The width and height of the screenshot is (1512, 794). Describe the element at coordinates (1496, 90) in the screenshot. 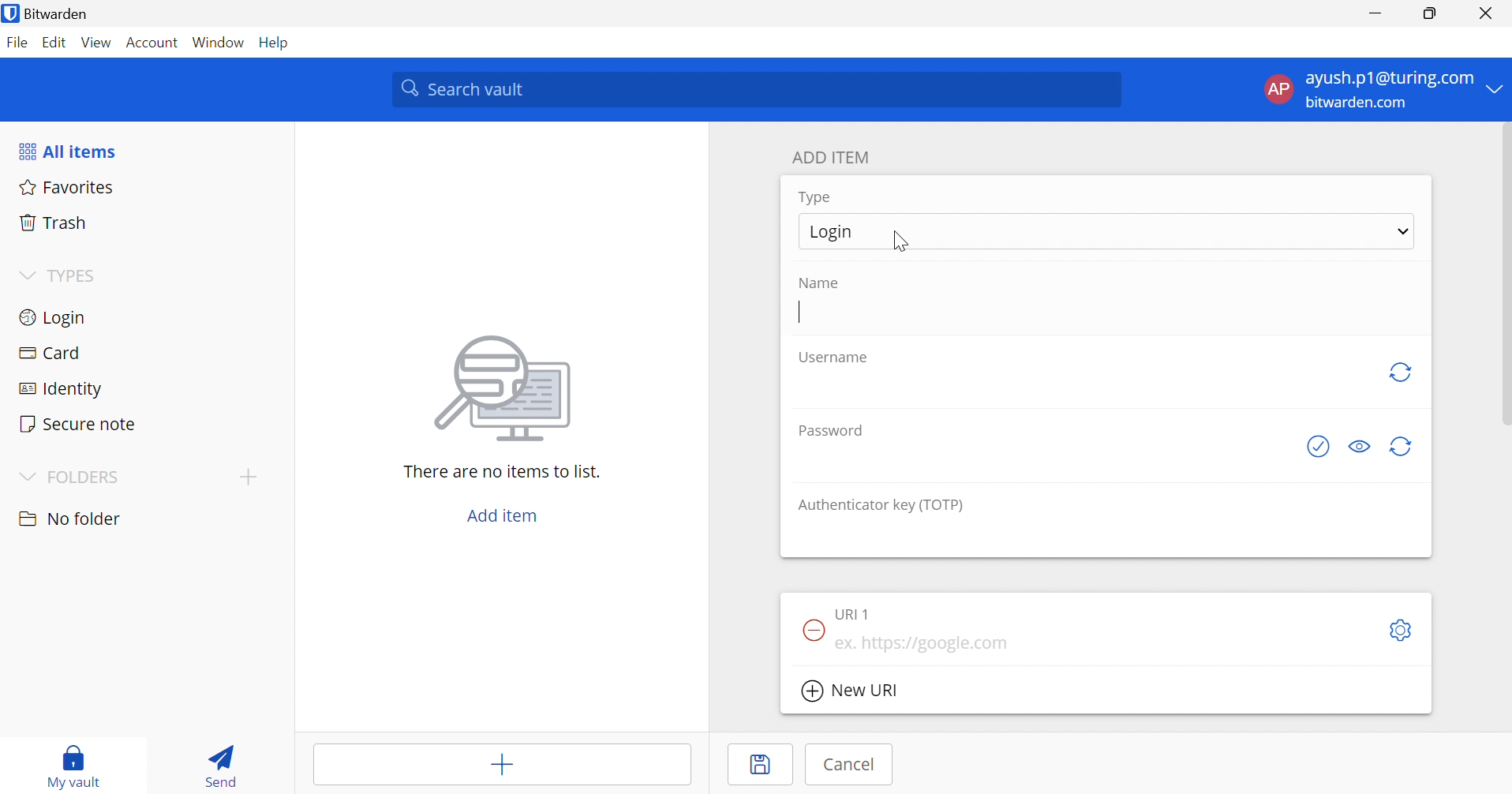

I see `Drop Down` at that location.